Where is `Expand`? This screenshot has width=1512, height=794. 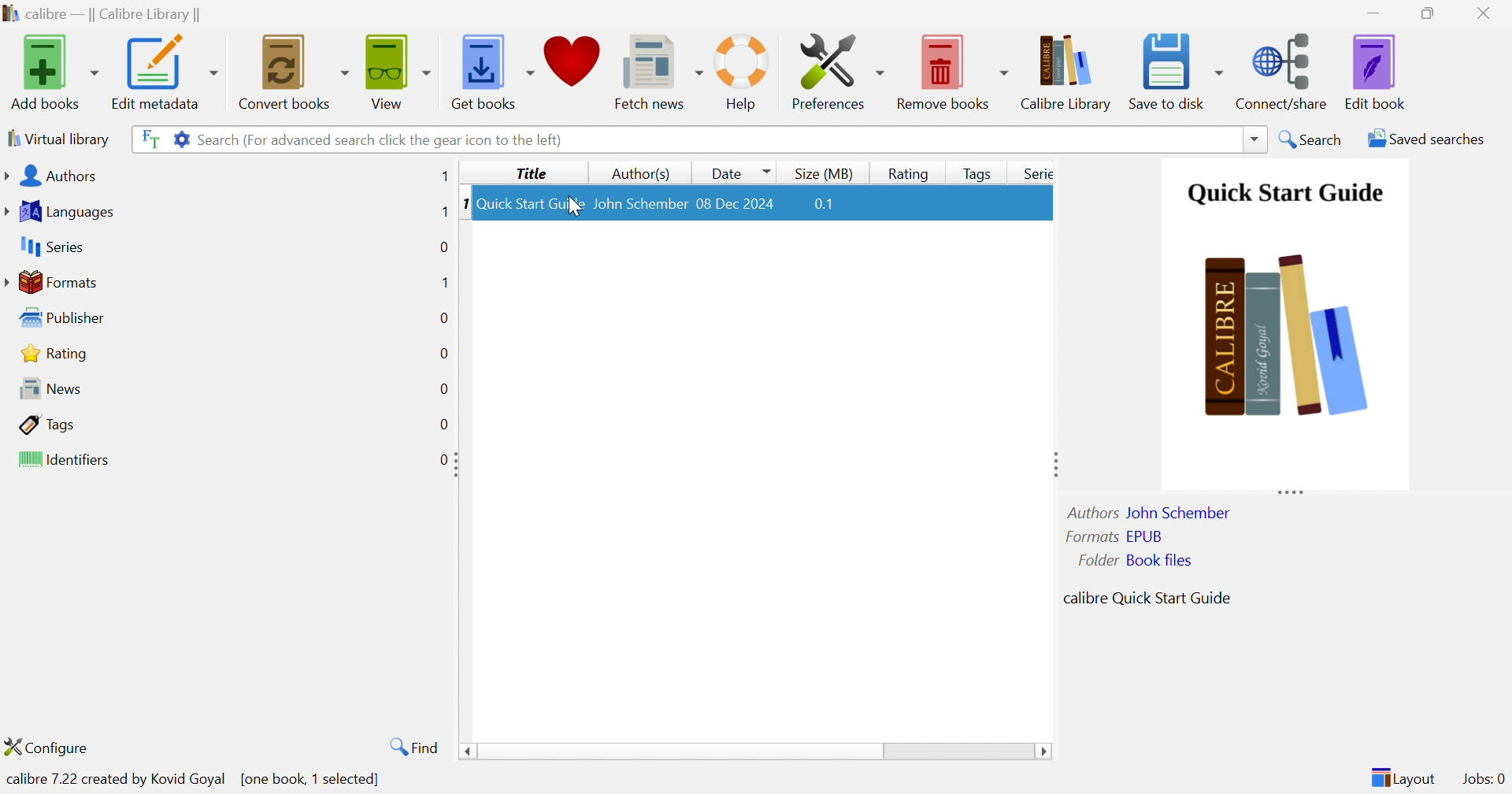
Expand is located at coordinates (1054, 462).